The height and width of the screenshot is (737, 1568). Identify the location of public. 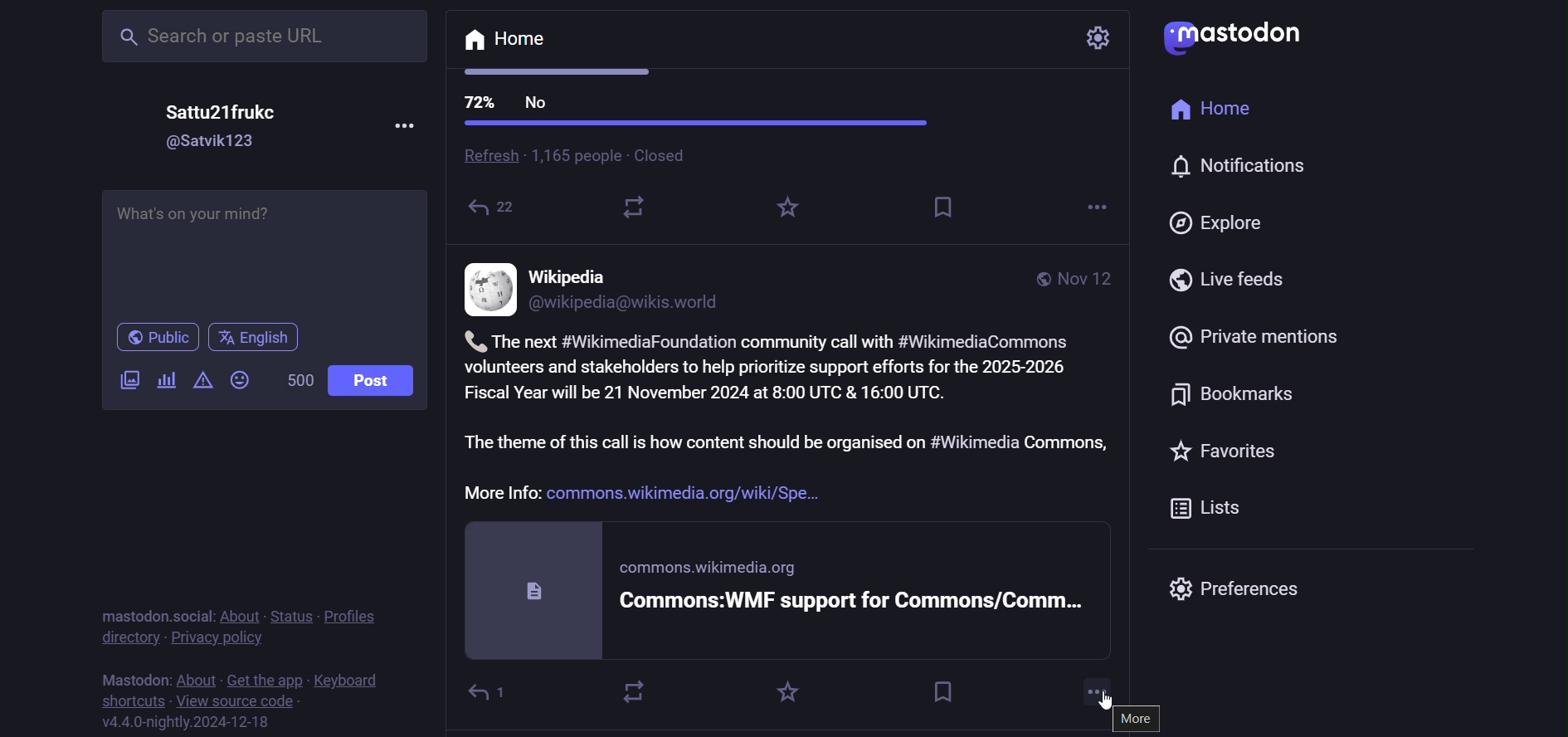
(156, 339).